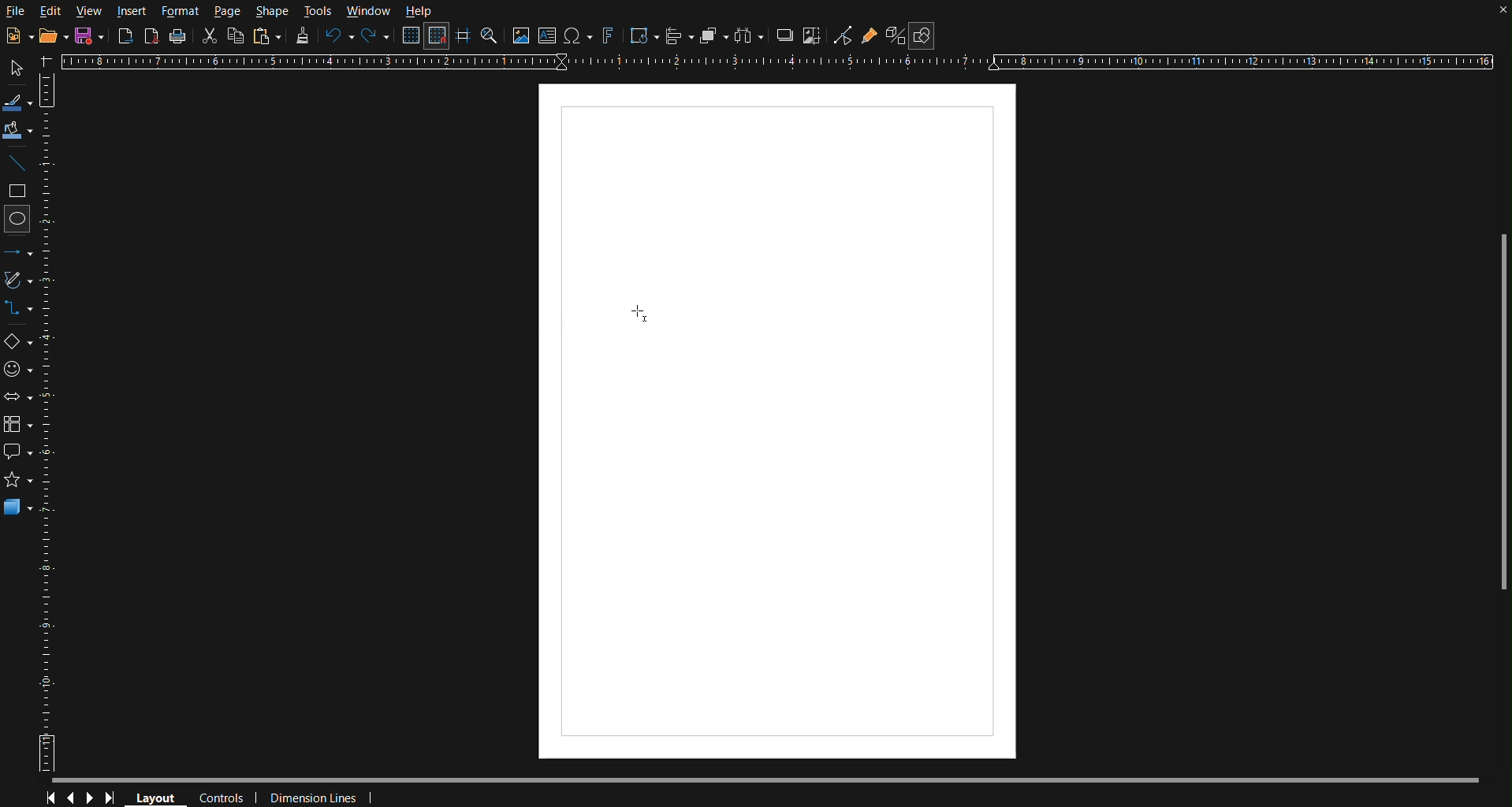 The image size is (1512, 807). Describe the element at coordinates (161, 796) in the screenshot. I see `Layout` at that location.